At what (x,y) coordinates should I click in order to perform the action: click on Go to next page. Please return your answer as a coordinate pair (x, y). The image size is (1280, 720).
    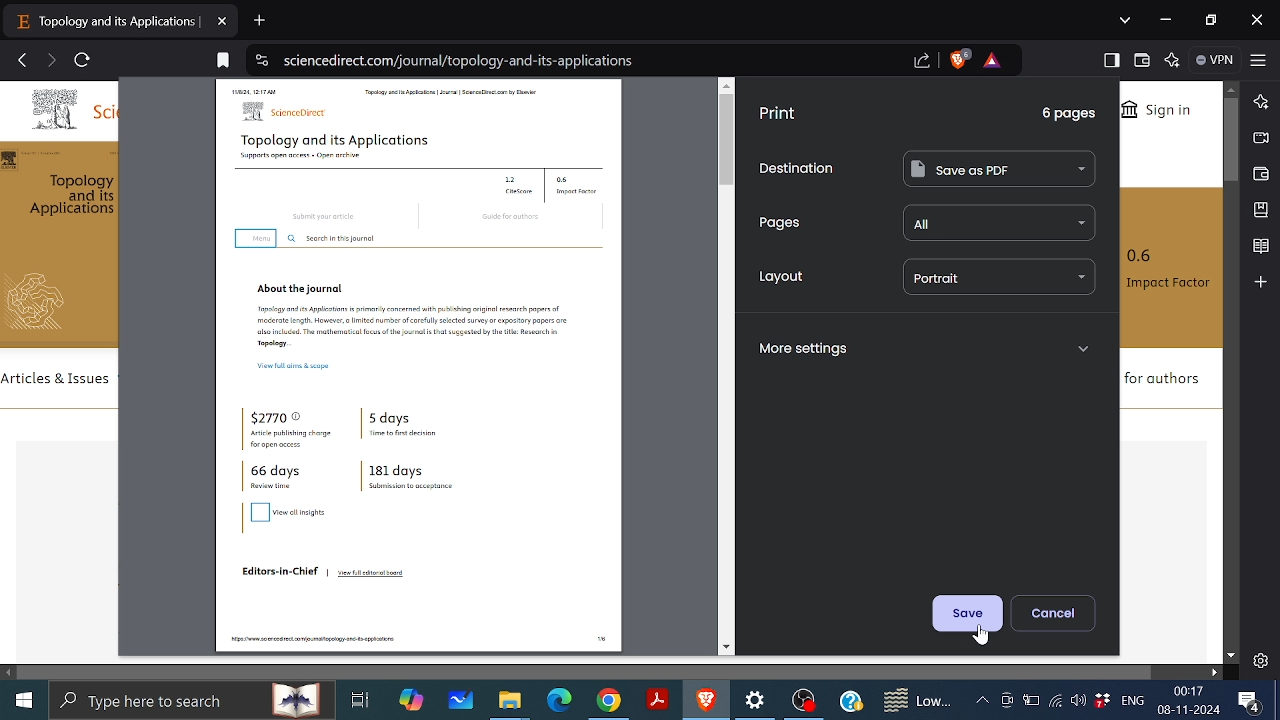
    Looking at the image, I should click on (50, 62).